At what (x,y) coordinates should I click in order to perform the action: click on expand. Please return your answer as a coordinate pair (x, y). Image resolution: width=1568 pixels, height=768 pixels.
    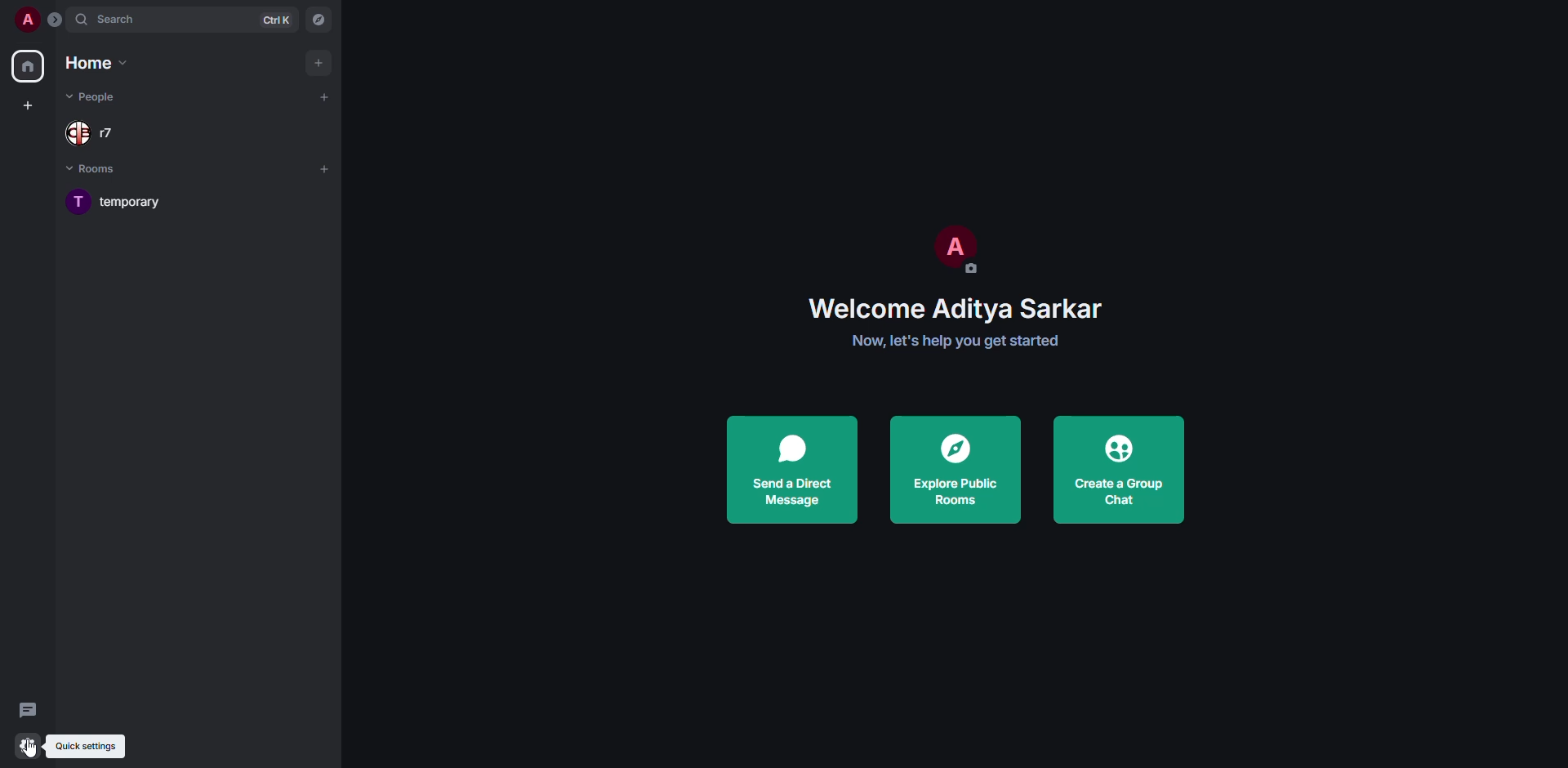
    Looking at the image, I should click on (57, 18).